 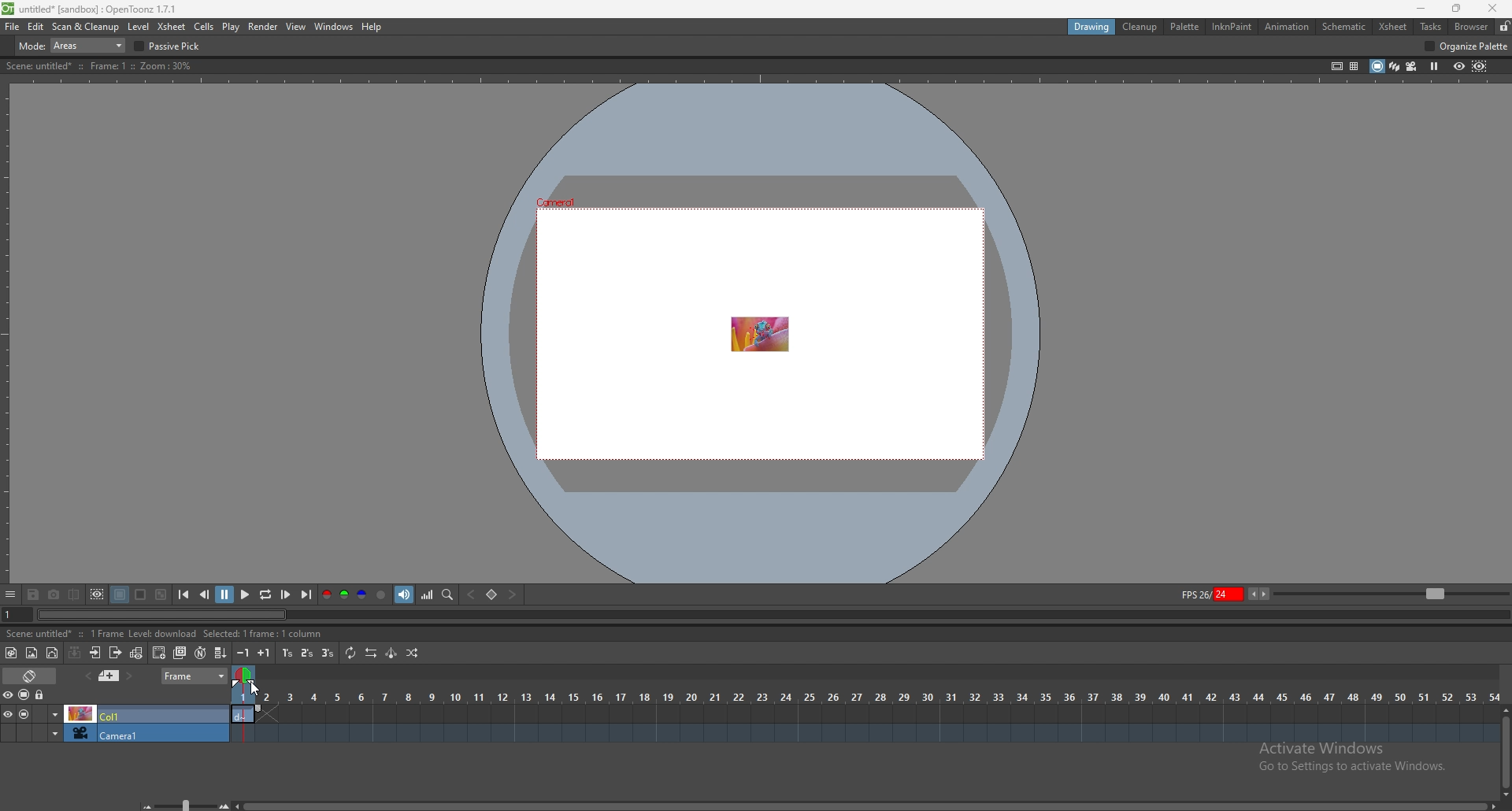 What do you see at coordinates (142, 595) in the screenshot?
I see `white background` at bounding box center [142, 595].